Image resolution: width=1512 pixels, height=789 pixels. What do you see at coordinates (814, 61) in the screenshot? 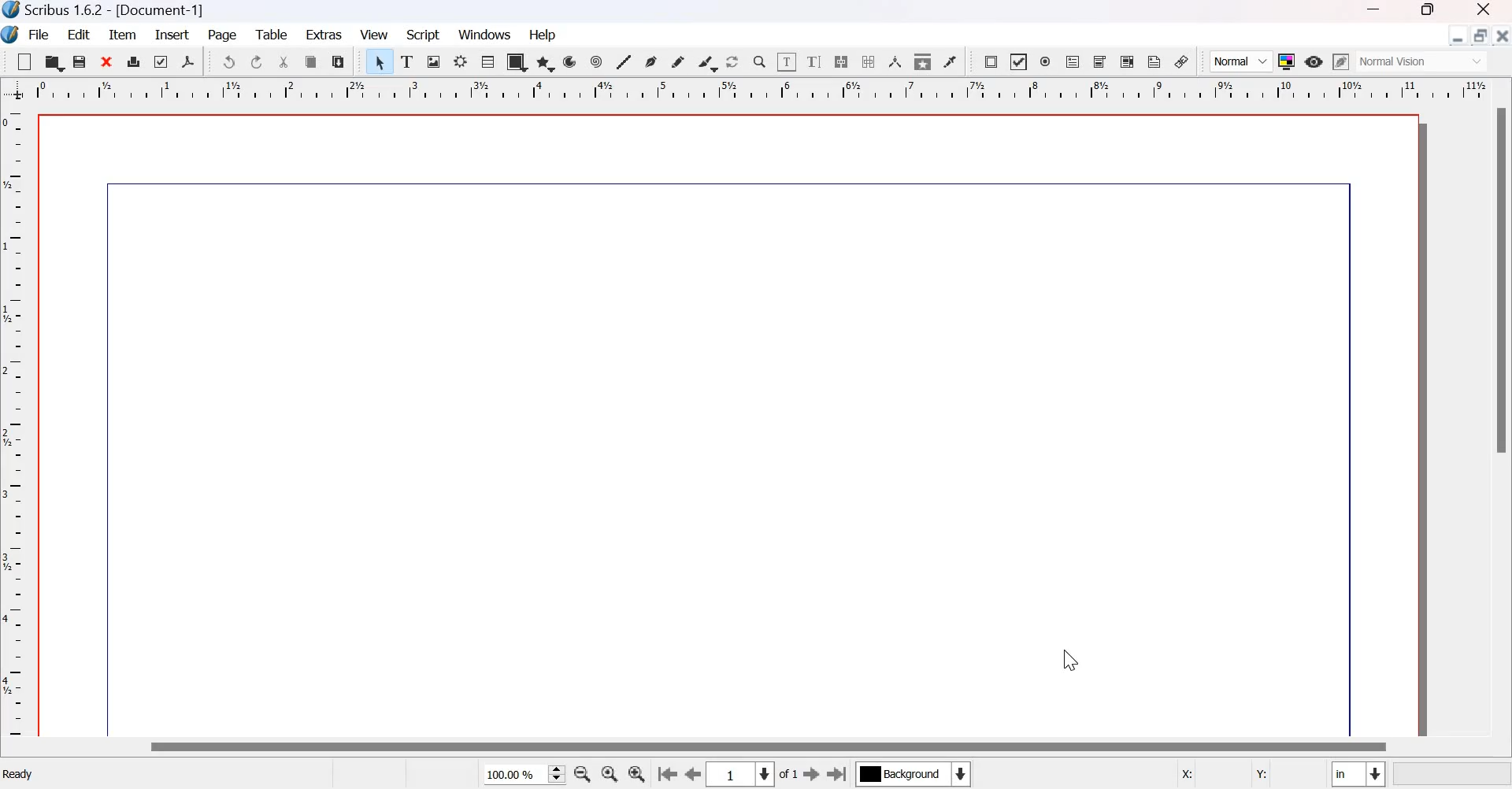
I see `Edit text with story editor` at bounding box center [814, 61].